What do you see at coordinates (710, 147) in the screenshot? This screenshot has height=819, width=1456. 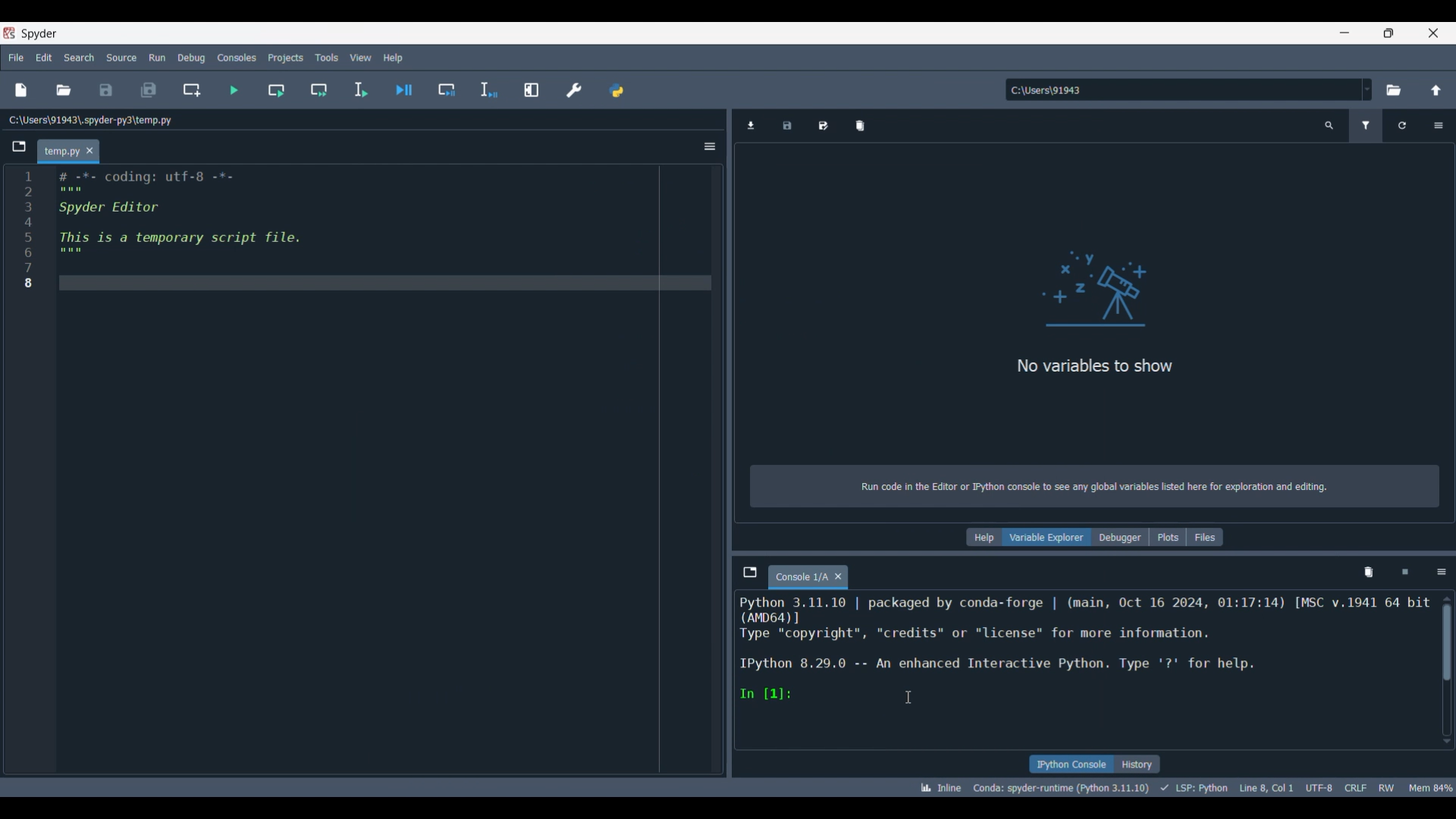 I see `Options` at bounding box center [710, 147].